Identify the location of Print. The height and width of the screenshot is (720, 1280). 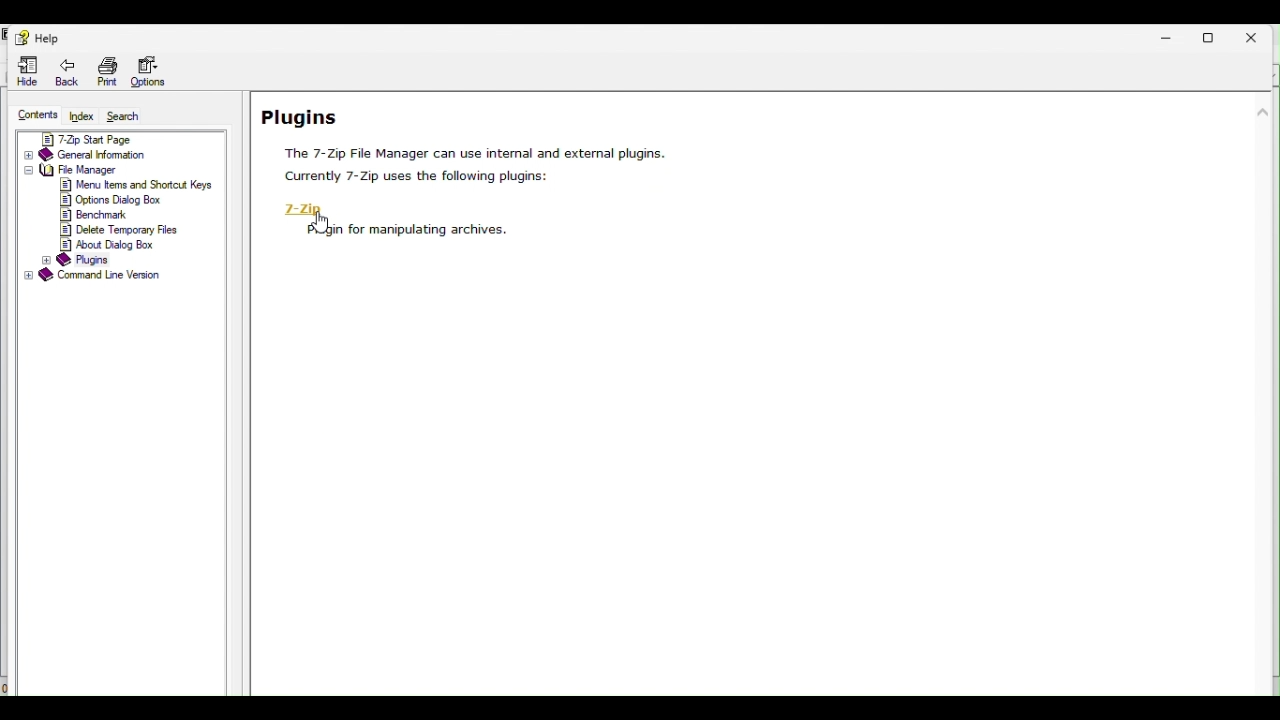
(104, 70).